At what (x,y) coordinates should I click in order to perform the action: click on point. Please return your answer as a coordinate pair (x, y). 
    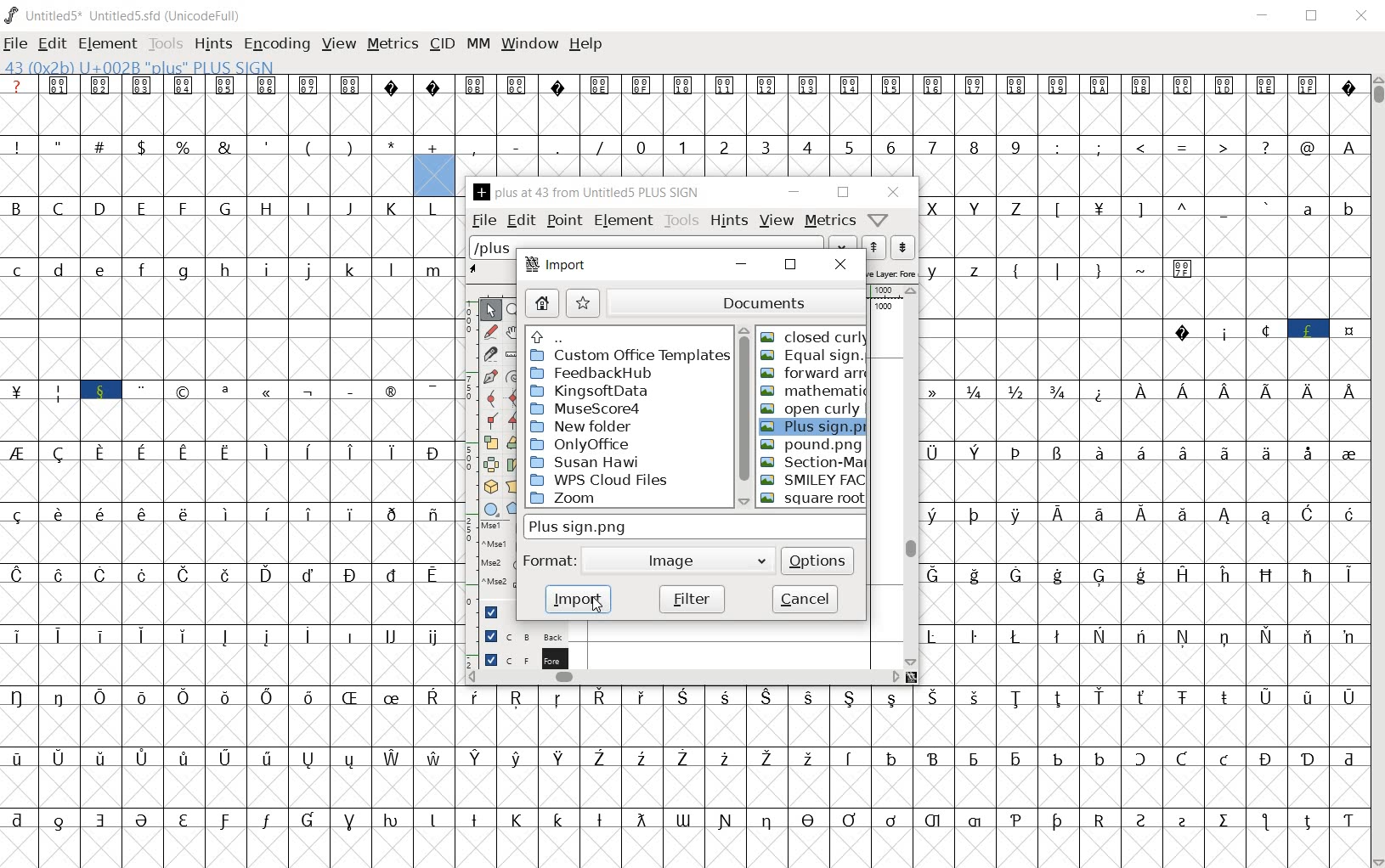
    Looking at the image, I should click on (562, 220).